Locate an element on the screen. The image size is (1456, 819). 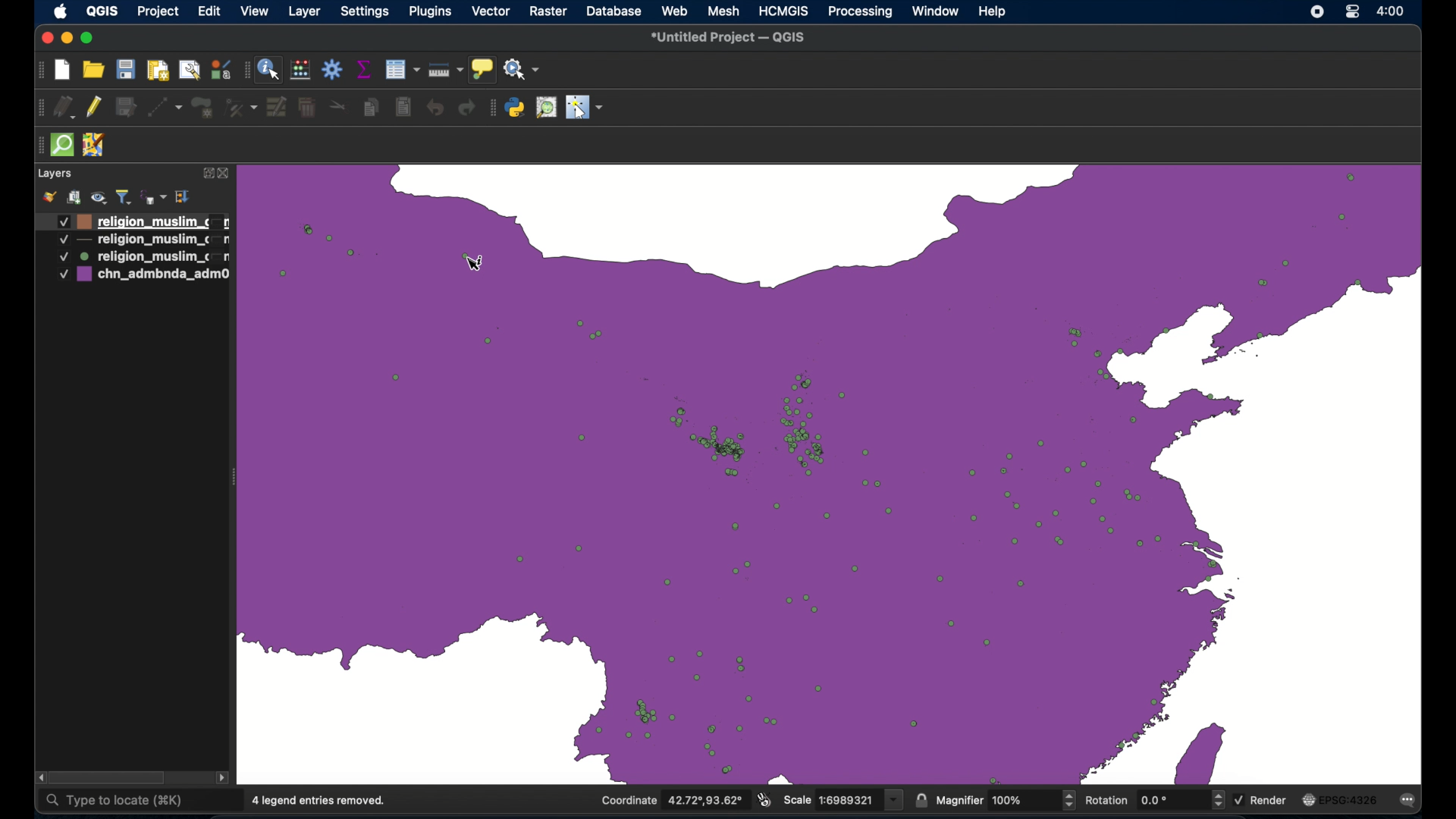
print layout is located at coordinates (155, 69).